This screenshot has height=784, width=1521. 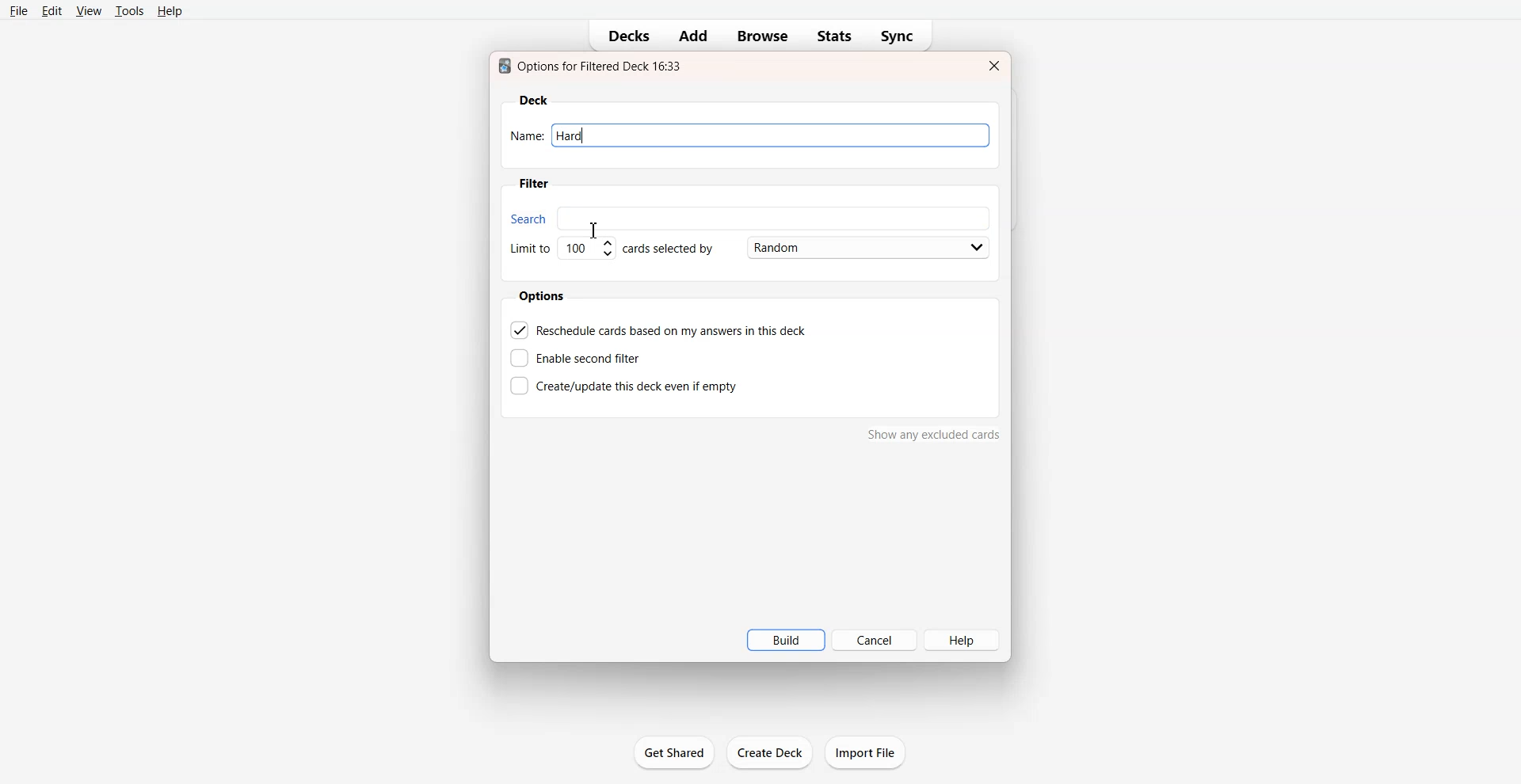 What do you see at coordinates (834, 36) in the screenshot?
I see `Stats` at bounding box center [834, 36].